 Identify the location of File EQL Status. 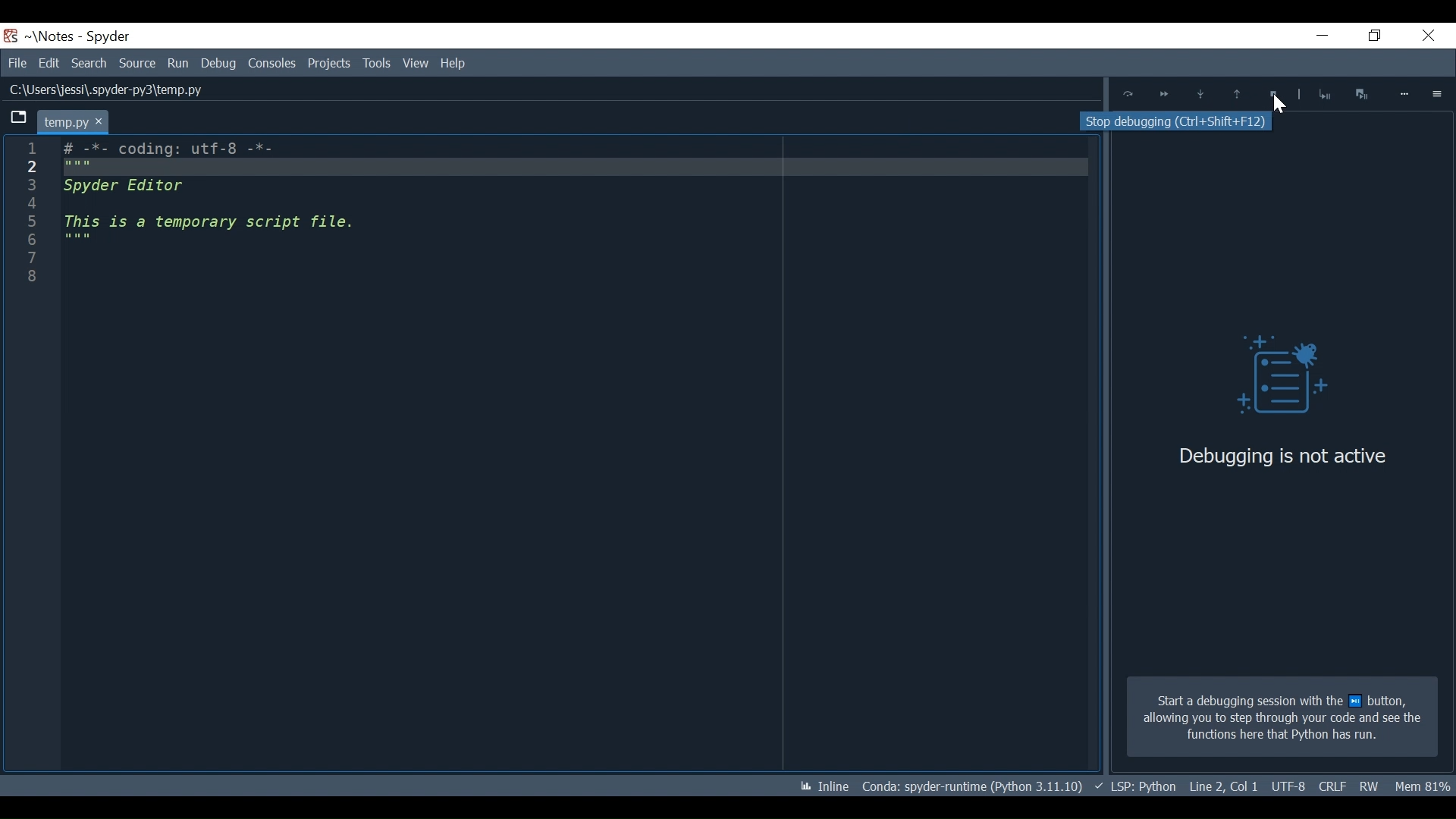
(1224, 786).